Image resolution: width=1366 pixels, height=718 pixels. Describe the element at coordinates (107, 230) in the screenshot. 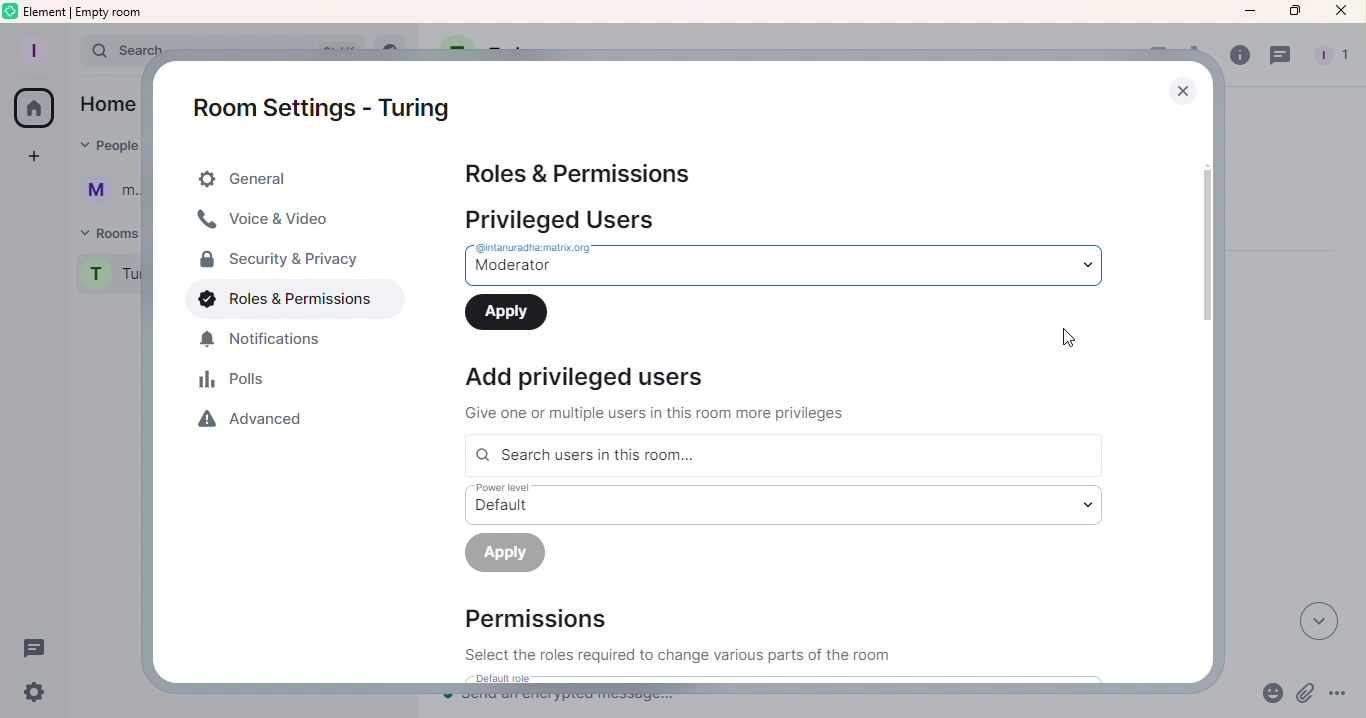

I see `Rooms` at that location.